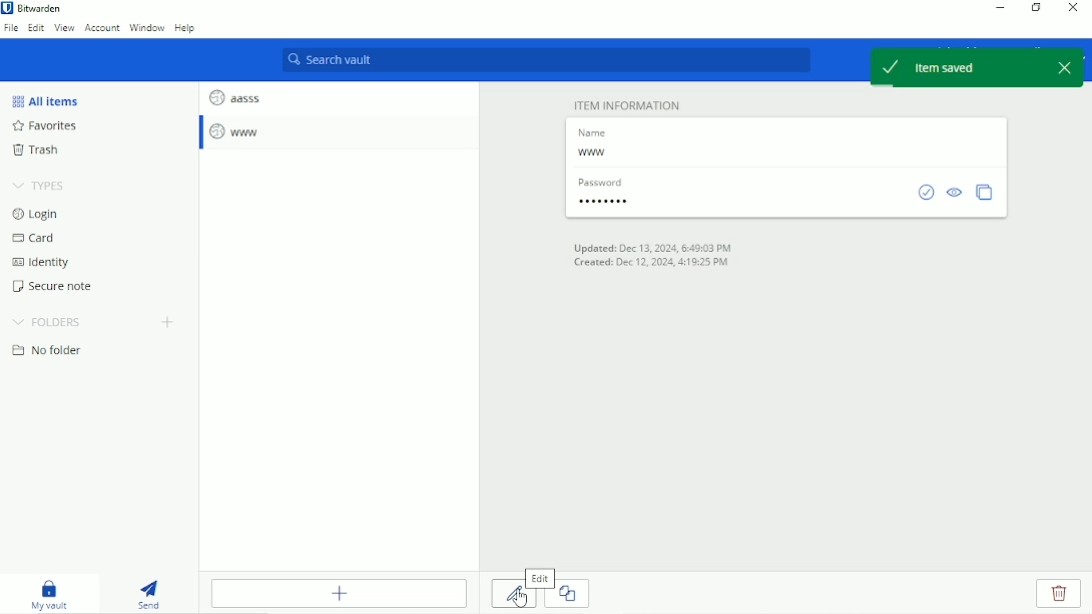 The height and width of the screenshot is (614, 1092). Describe the element at coordinates (603, 181) in the screenshot. I see `Password` at that location.